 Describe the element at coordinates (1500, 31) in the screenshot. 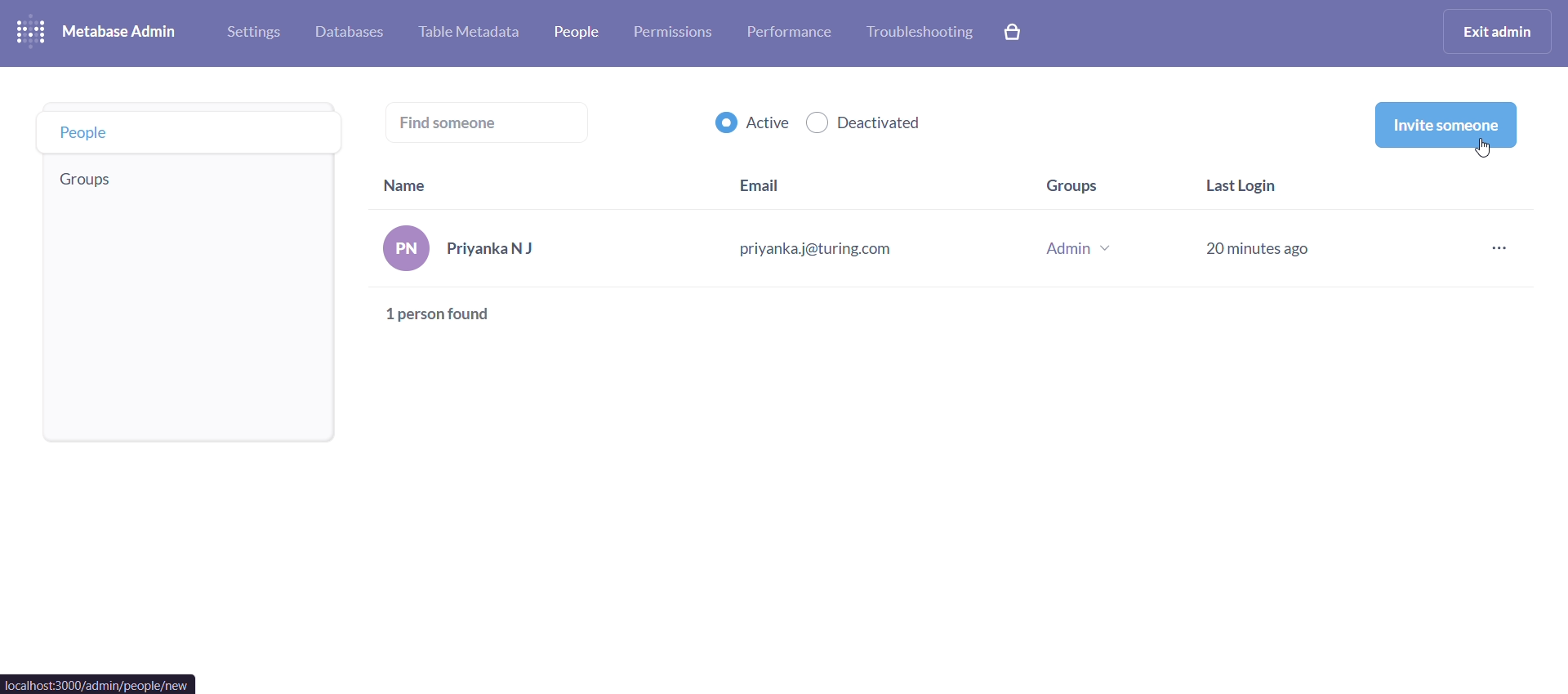

I see `exit admin` at that location.